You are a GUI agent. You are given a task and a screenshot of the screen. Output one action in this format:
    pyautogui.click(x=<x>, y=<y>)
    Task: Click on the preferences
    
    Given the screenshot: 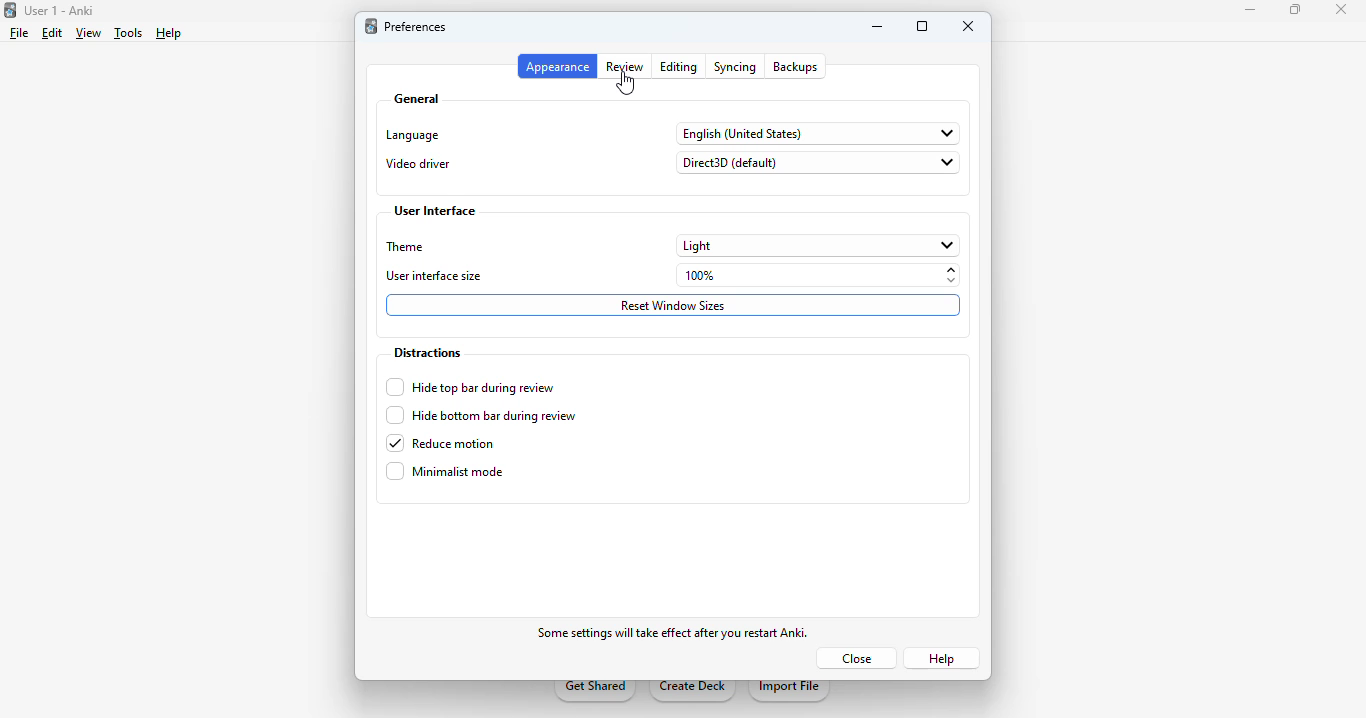 What is the action you would take?
    pyautogui.click(x=417, y=26)
    